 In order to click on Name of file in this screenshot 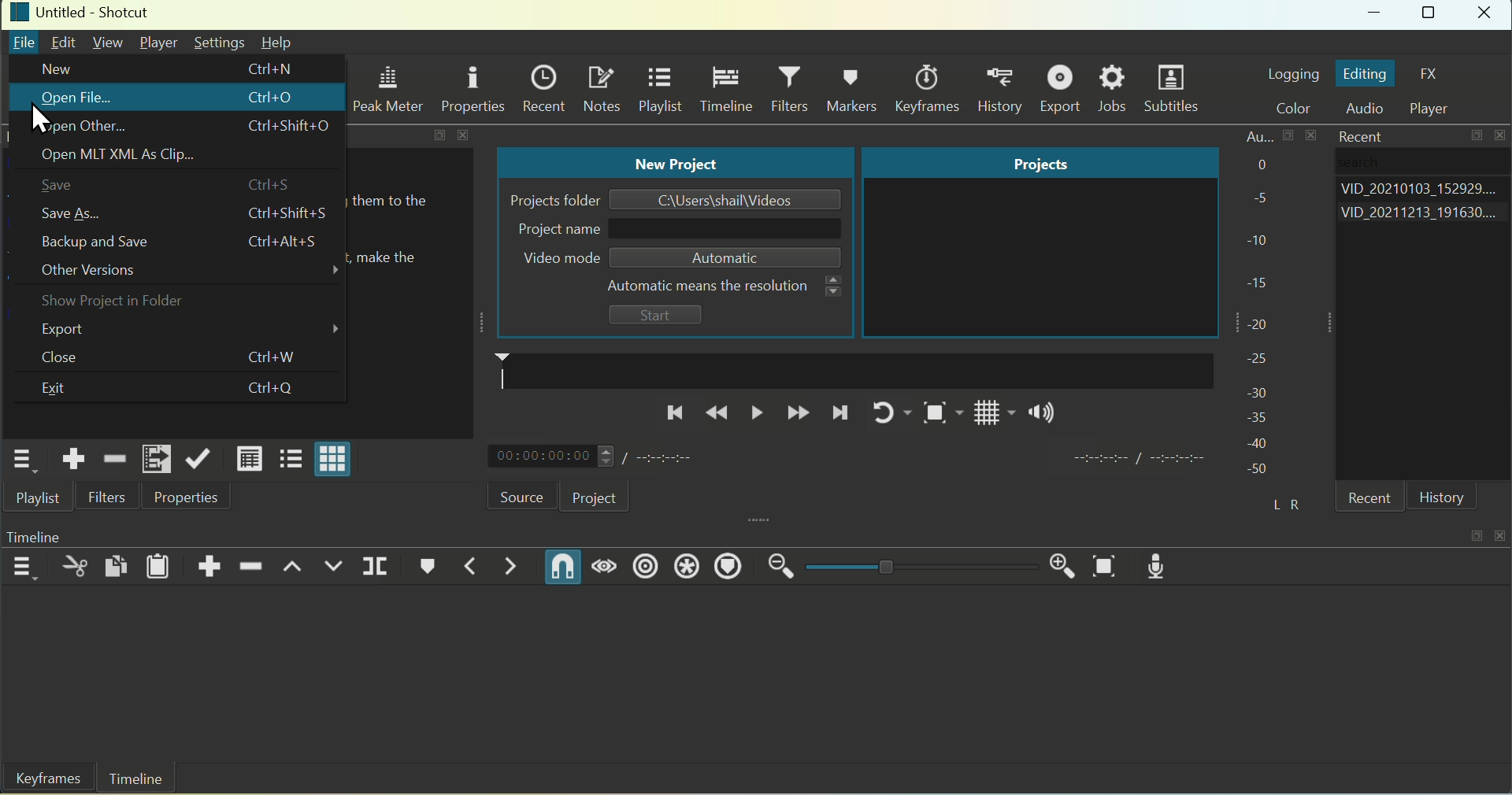, I will do `click(727, 200)`.